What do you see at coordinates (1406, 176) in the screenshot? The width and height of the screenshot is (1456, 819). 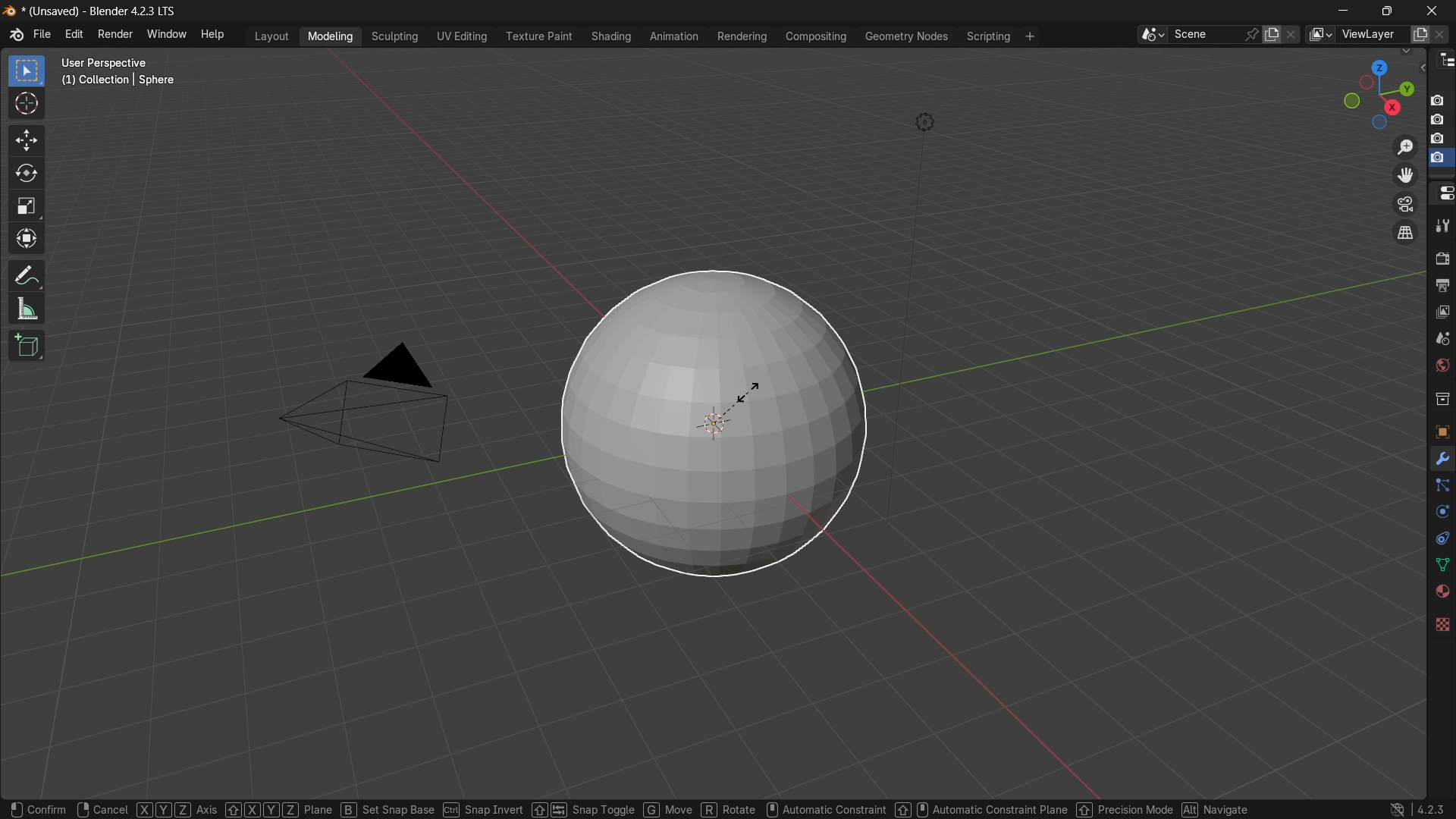 I see `move the view` at bounding box center [1406, 176].